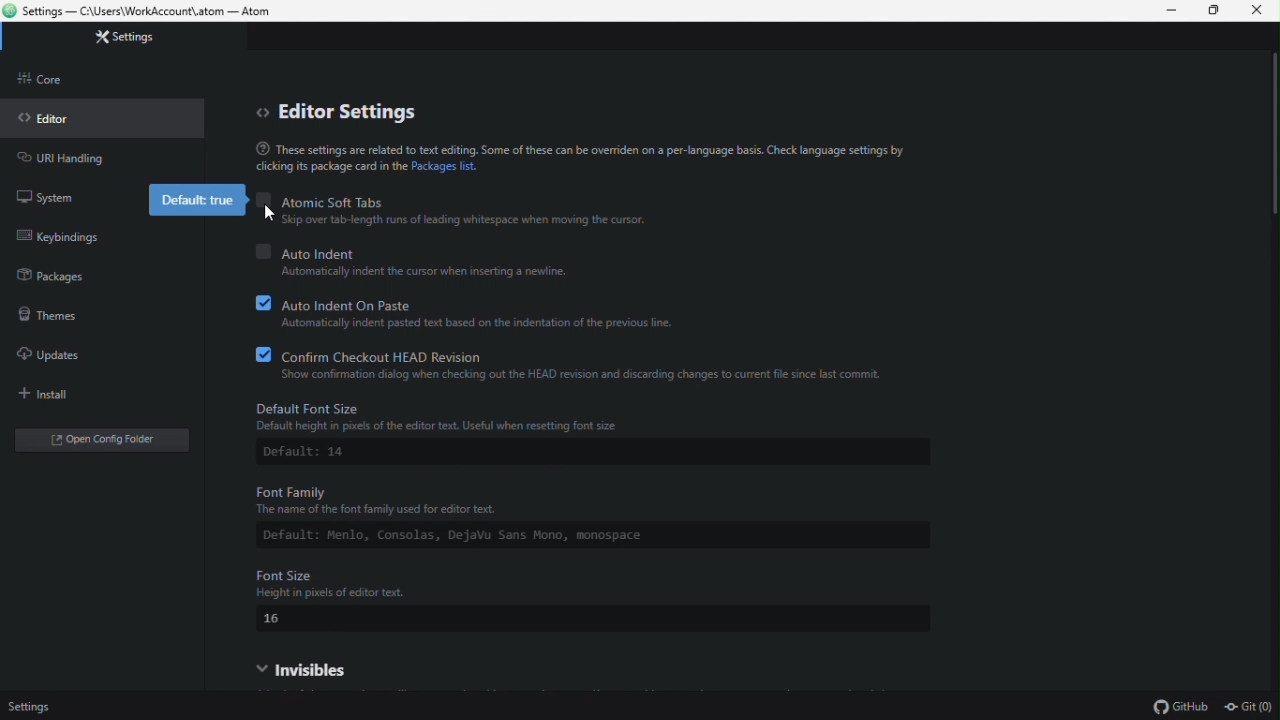 The image size is (1280, 720). I want to click on Auto indent , so click(416, 248).